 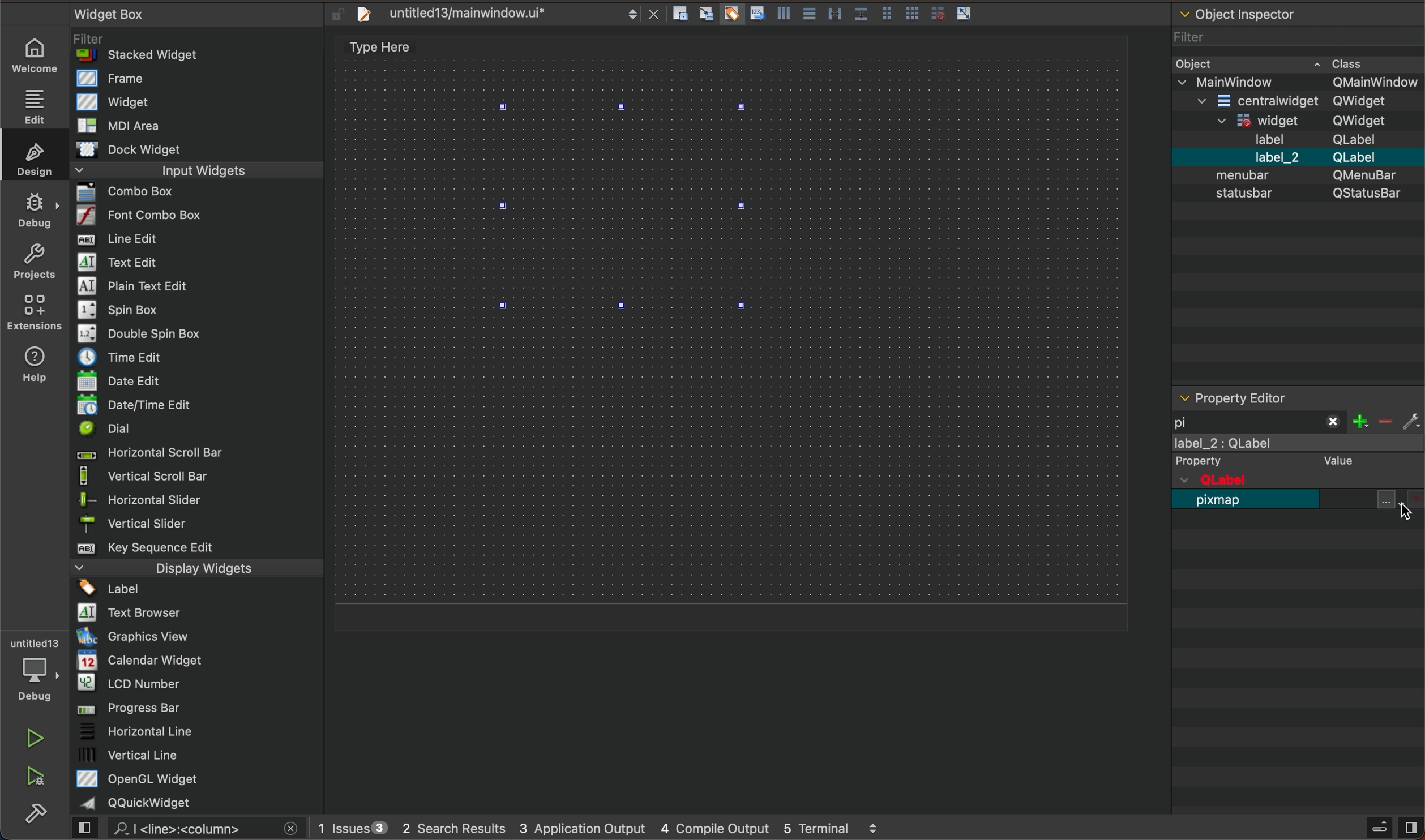 What do you see at coordinates (36, 55) in the screenshot?
I see `welcome` at bounding box center [36, 55].